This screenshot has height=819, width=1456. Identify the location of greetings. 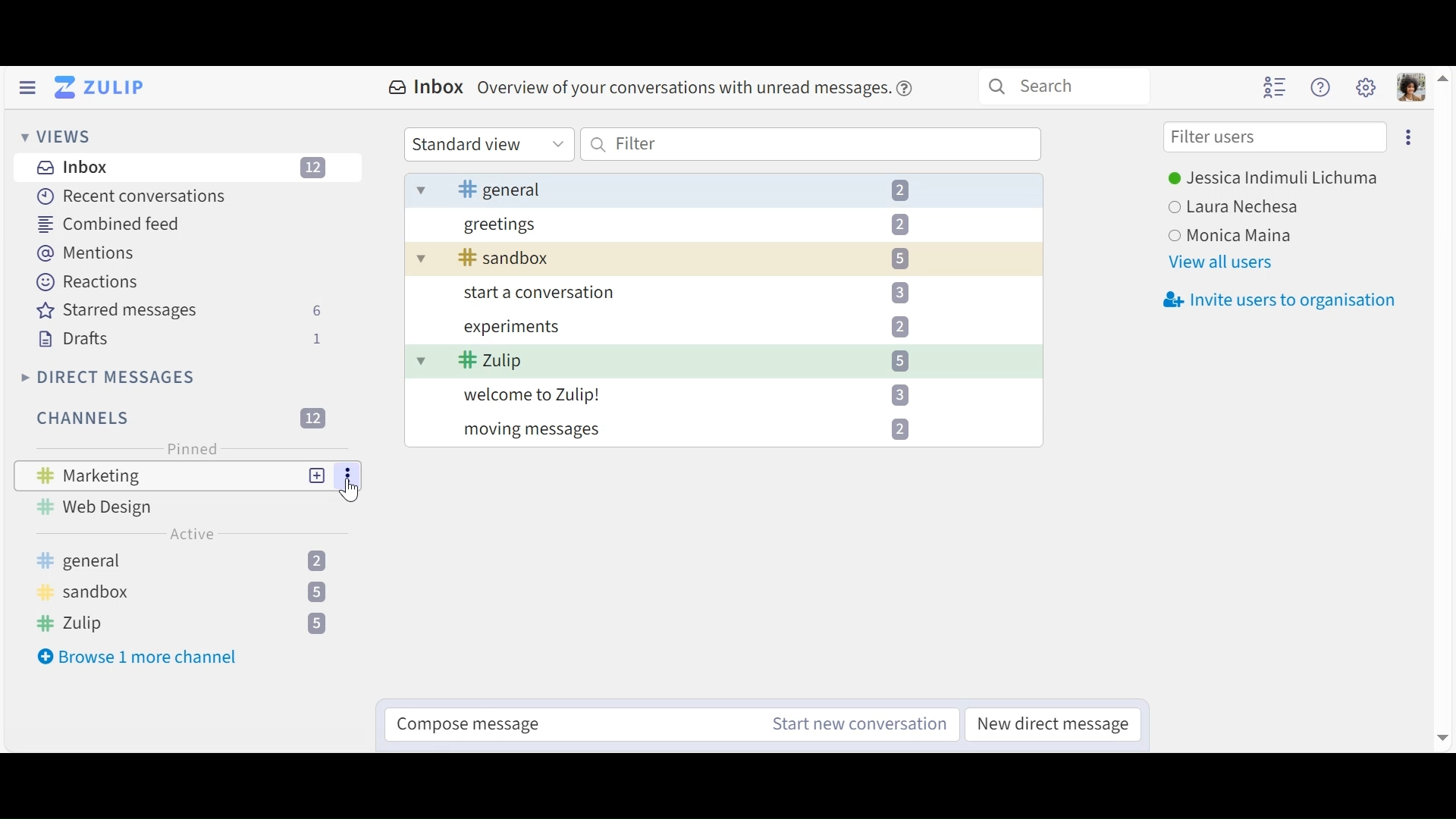
(704, 228).